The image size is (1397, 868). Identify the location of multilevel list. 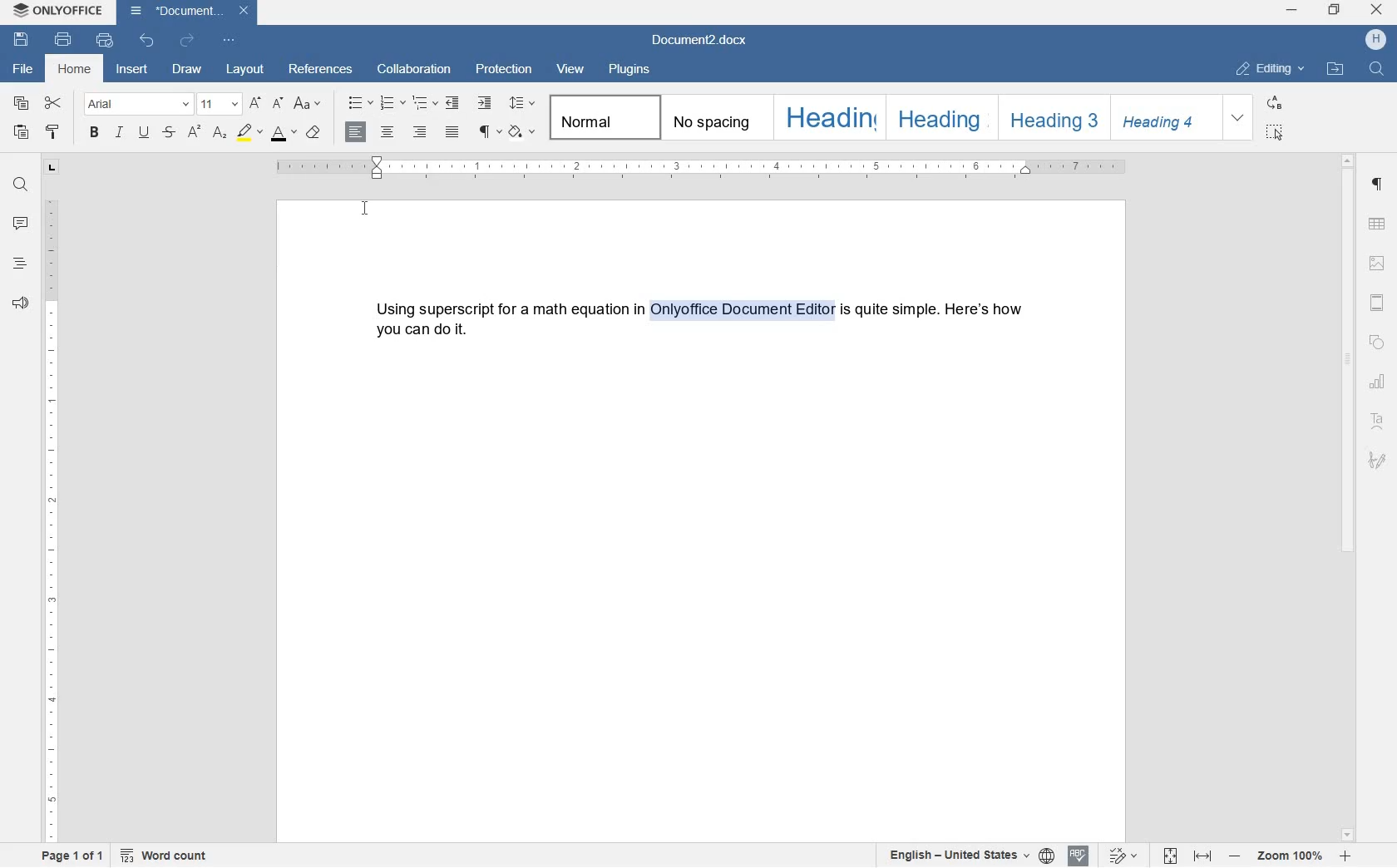
(422, 104).